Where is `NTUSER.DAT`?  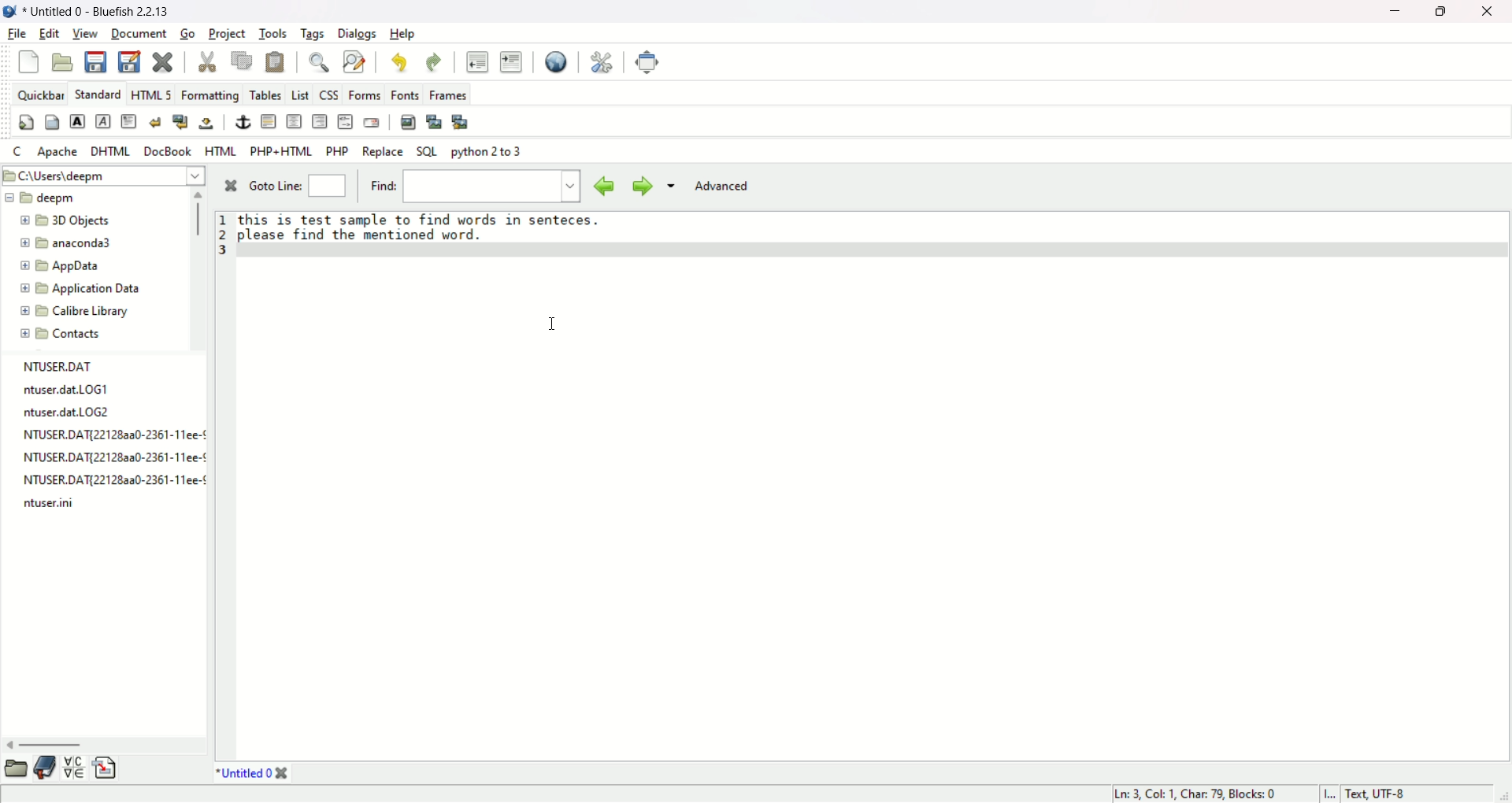 NTUSER.DAT is located at coordinates (62, 365).